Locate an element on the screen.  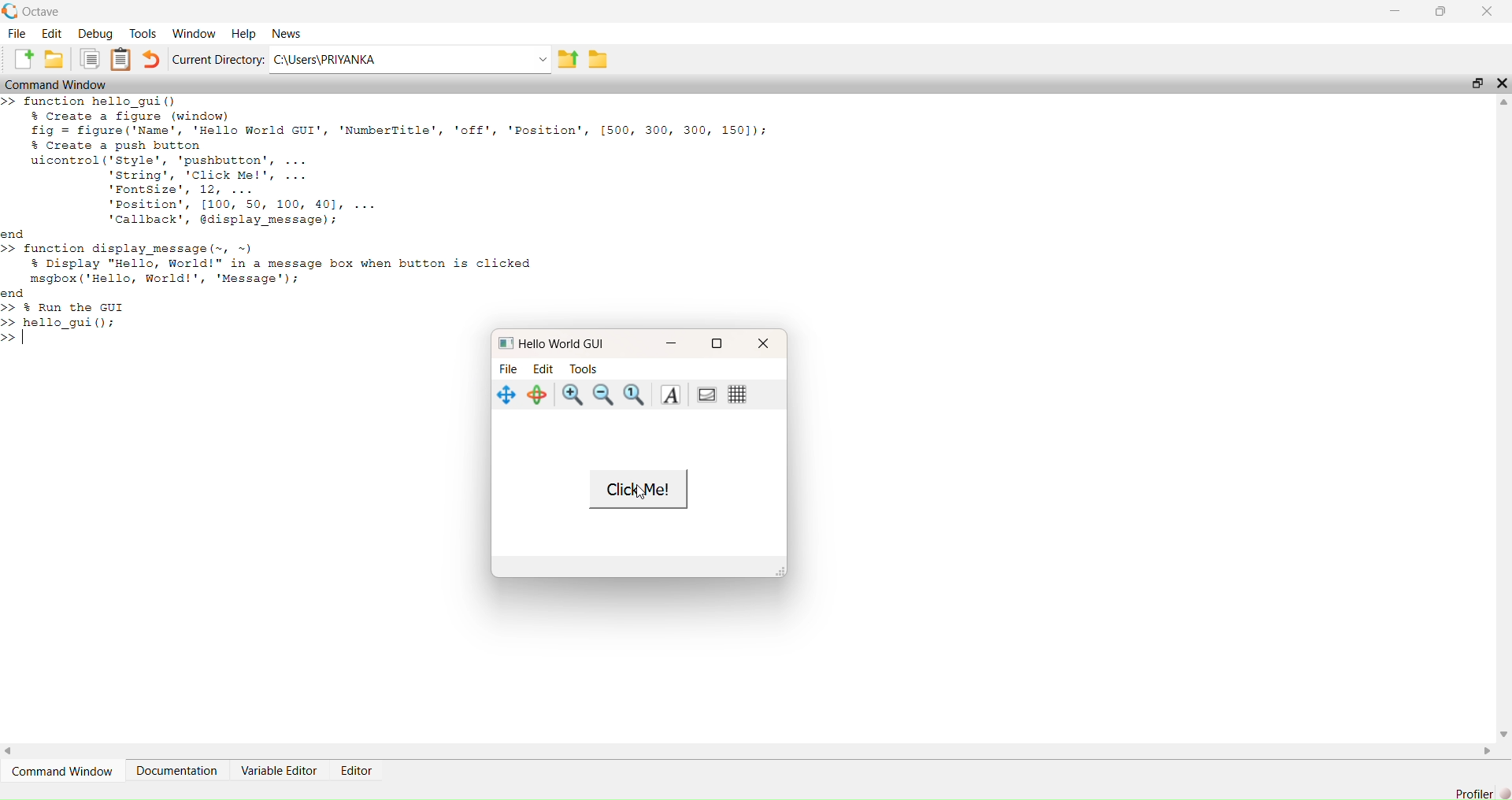
Click Me! is located at coordinates (637, 490).